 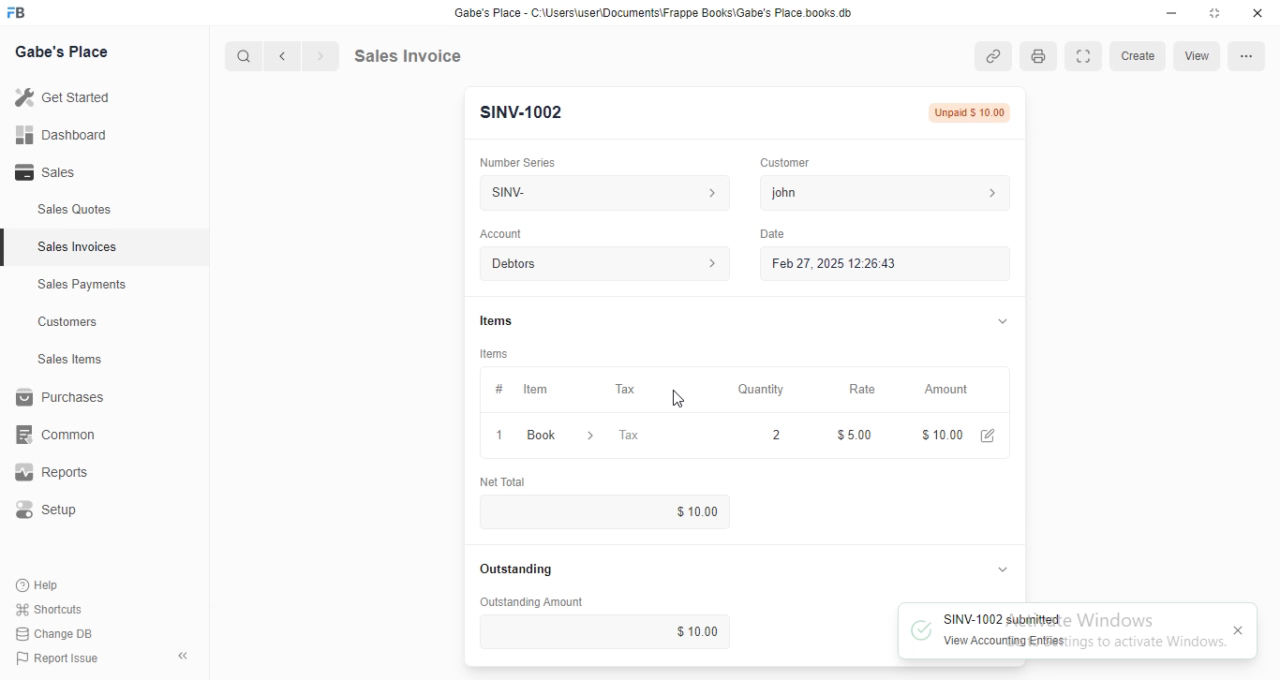 I want to click on close, so click(x=1237, y=631).